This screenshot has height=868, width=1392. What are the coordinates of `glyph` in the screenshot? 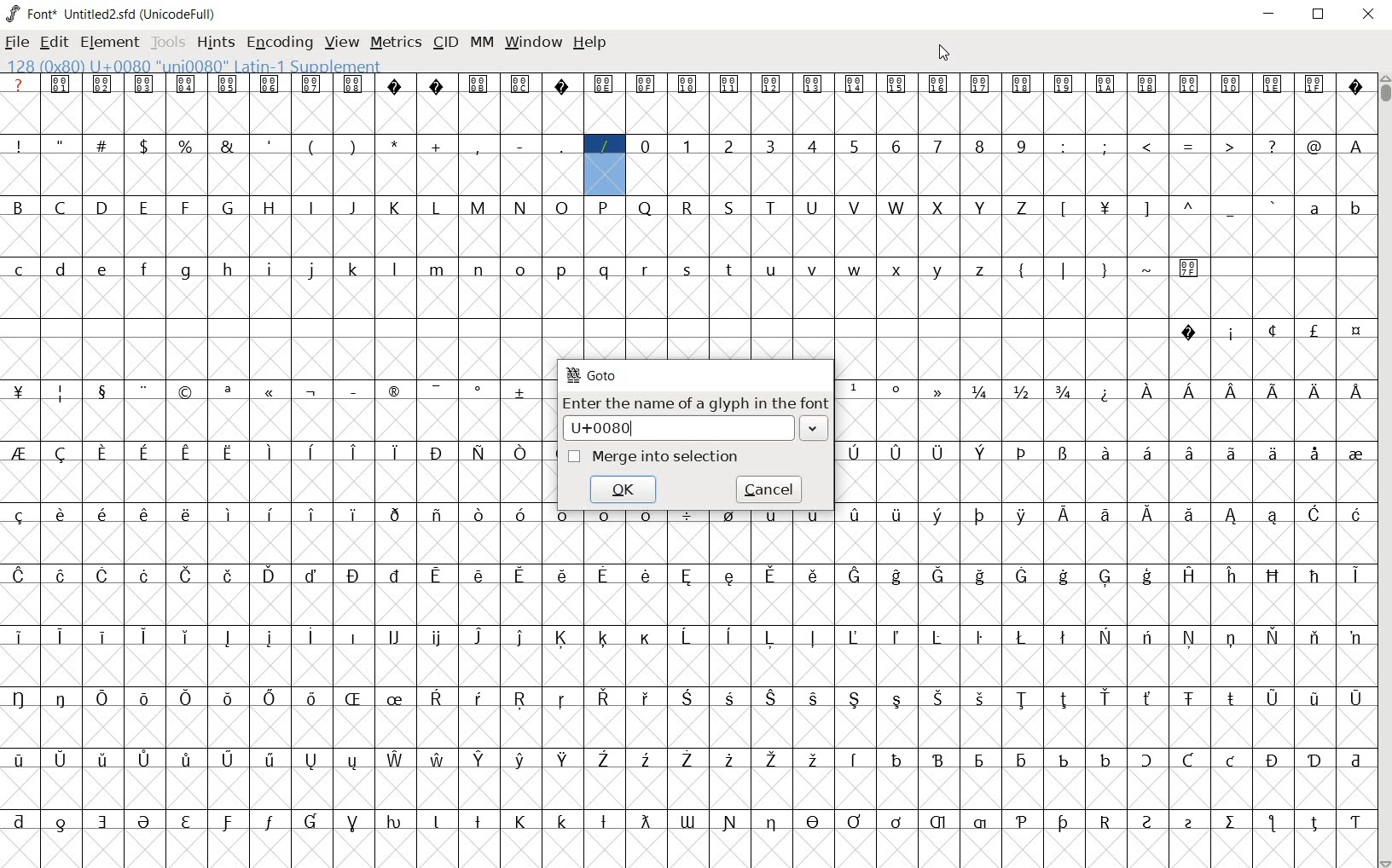 It's located at (1105, 146).